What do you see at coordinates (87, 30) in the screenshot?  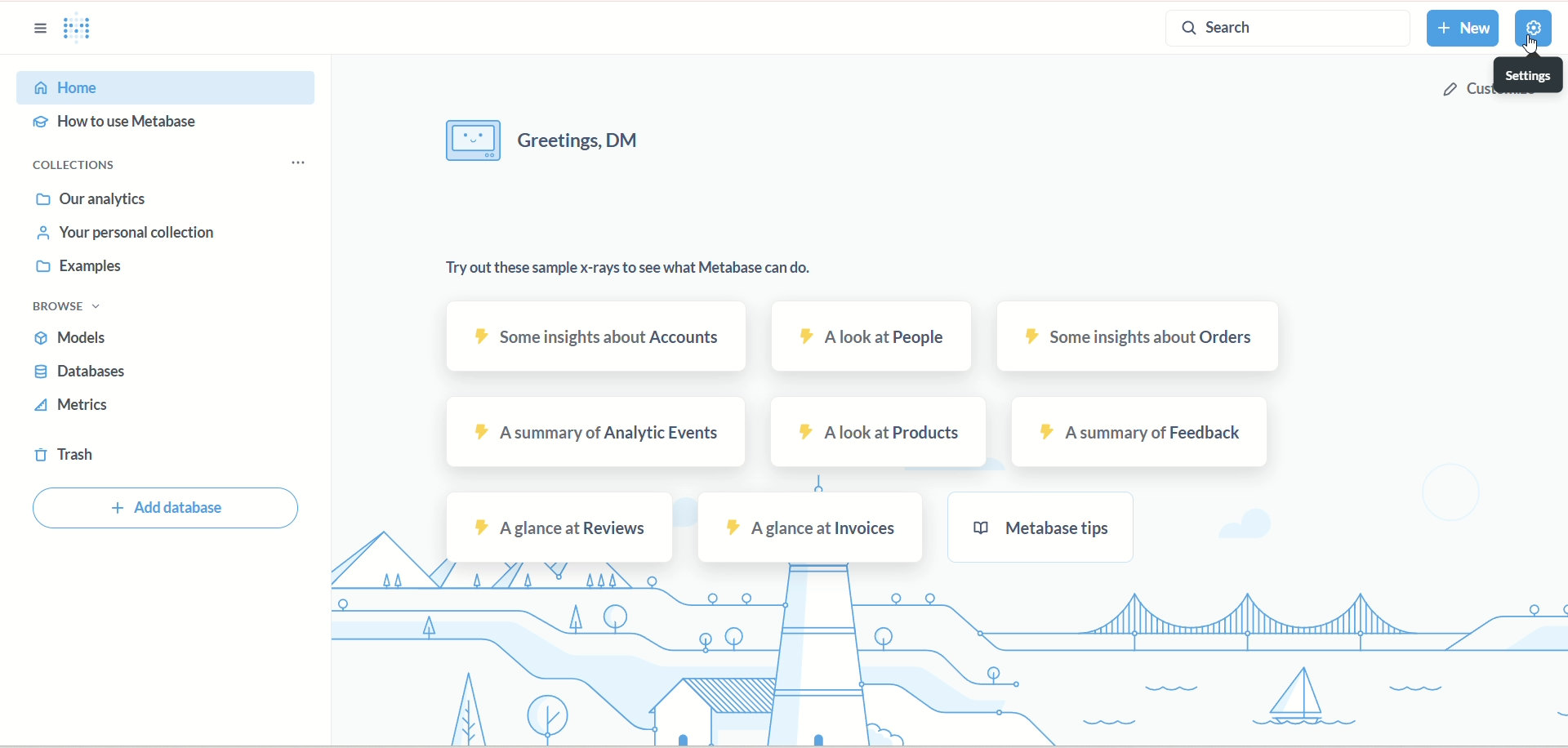 I see `logo` at bounding box center [87, 30].